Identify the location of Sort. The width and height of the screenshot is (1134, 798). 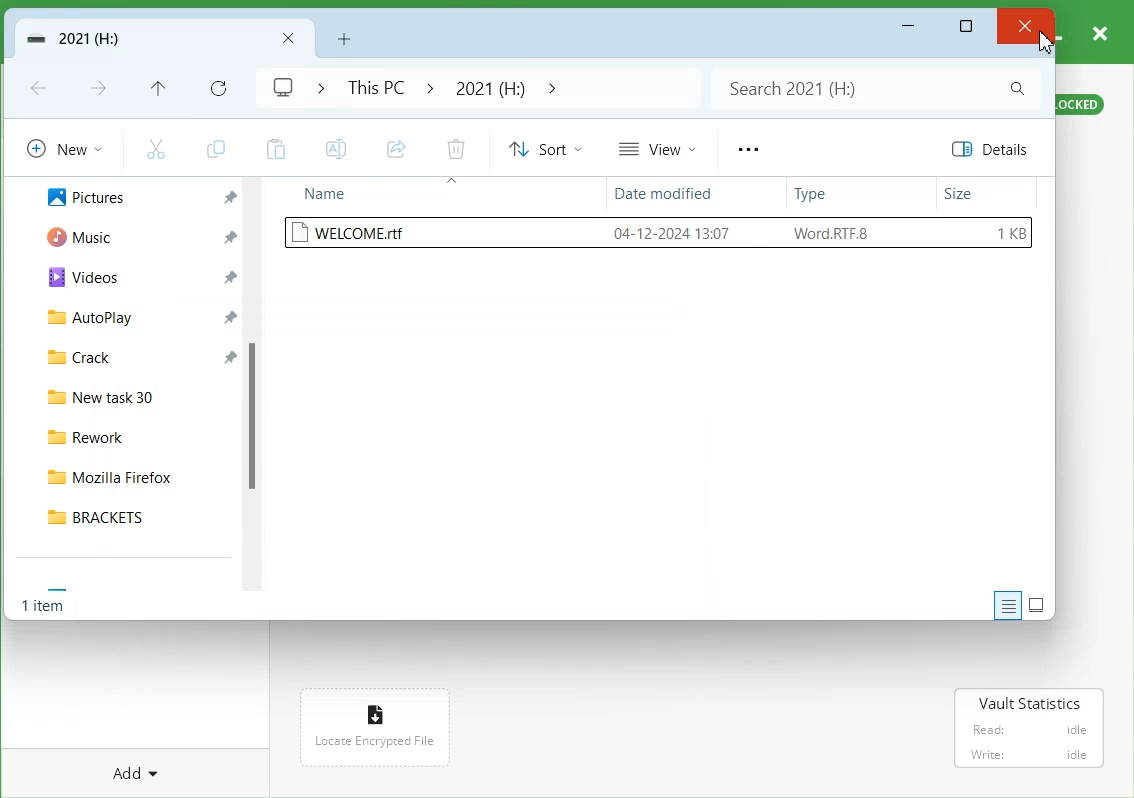
(545, 148).